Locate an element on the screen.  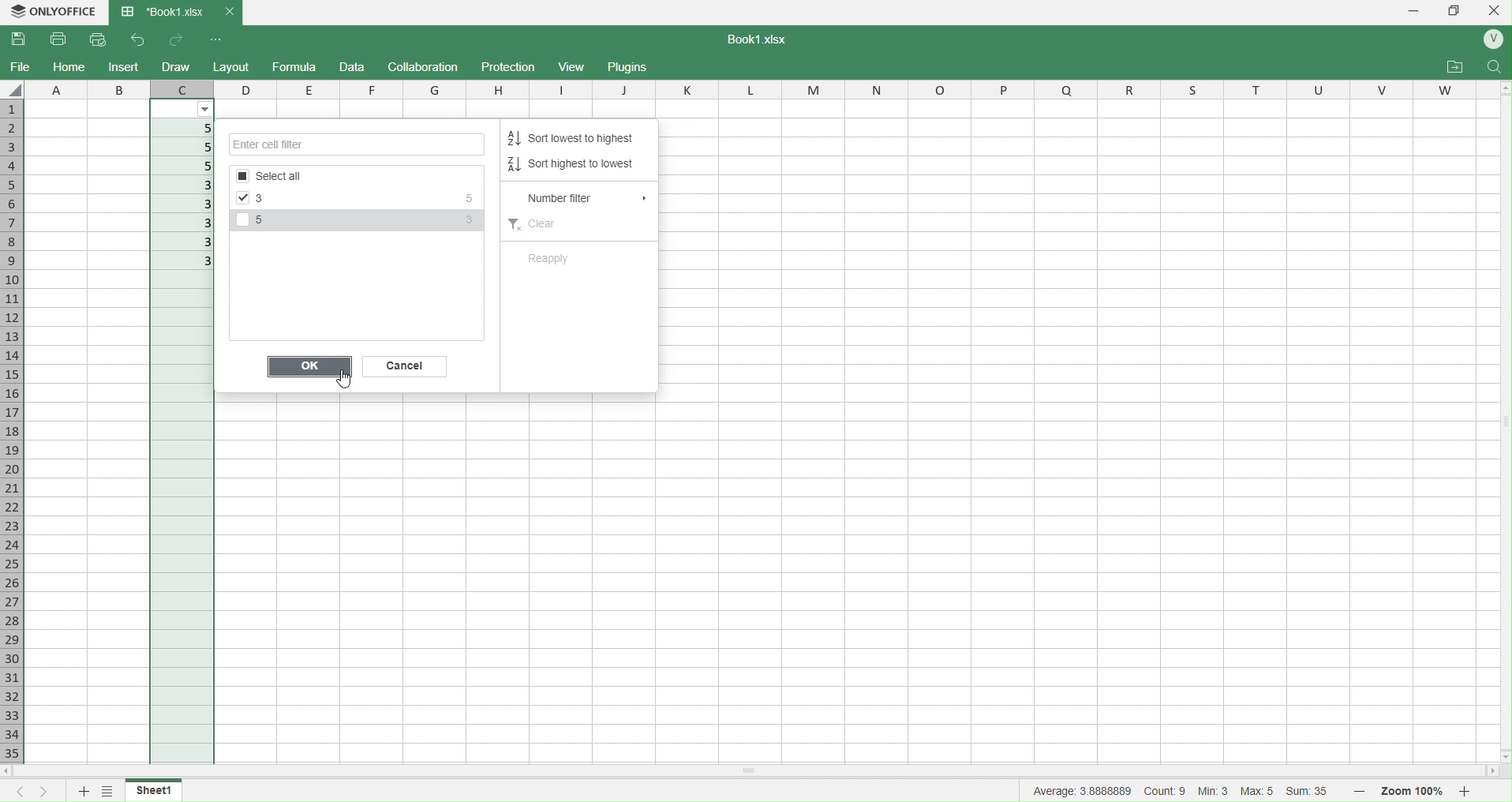
Clear is located at coordinates (537, 222).